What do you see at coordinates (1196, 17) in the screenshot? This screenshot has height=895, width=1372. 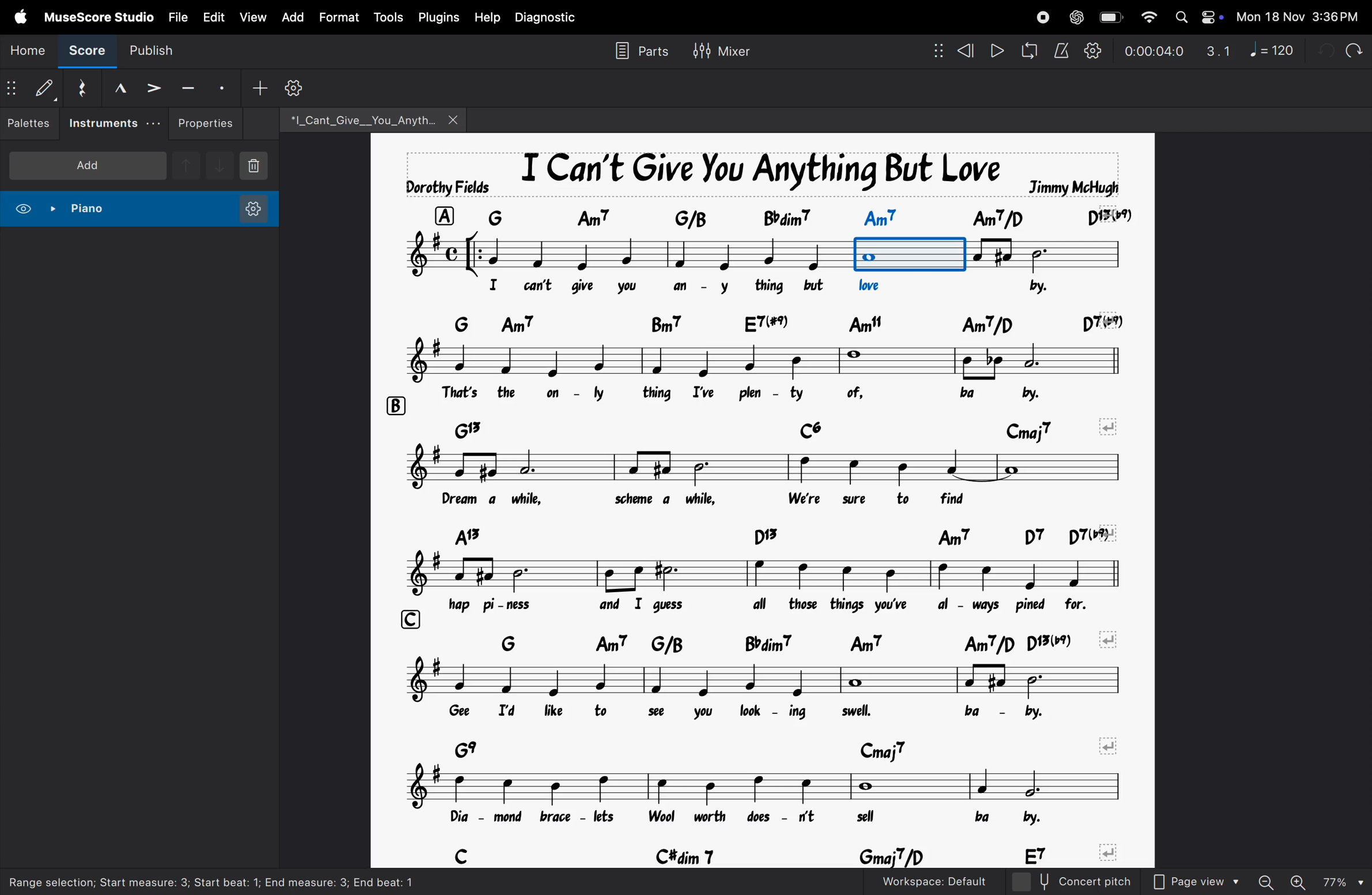 I see `apple widgets` at bounding box center [1196, 17].